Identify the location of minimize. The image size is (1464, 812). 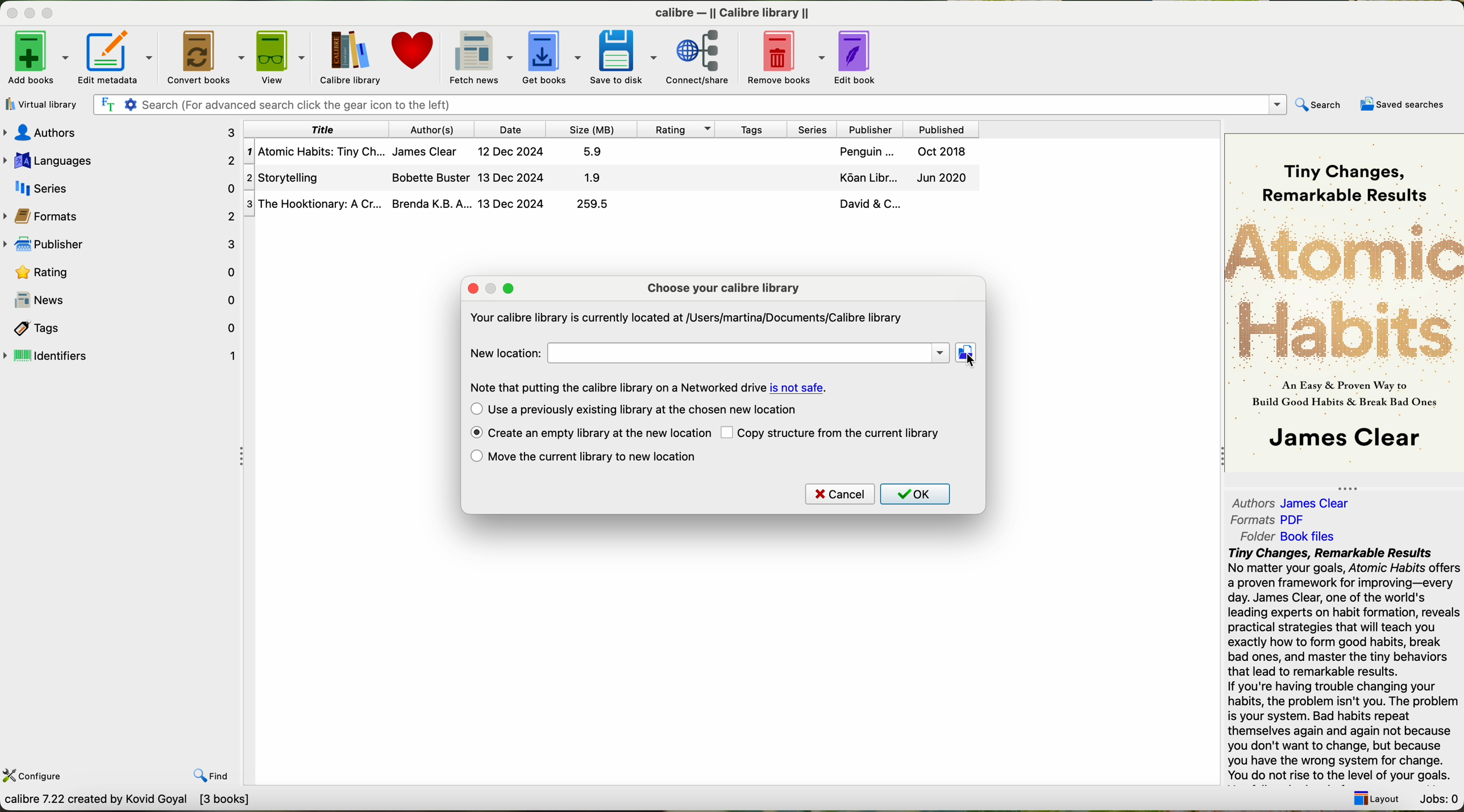
(495, 289).